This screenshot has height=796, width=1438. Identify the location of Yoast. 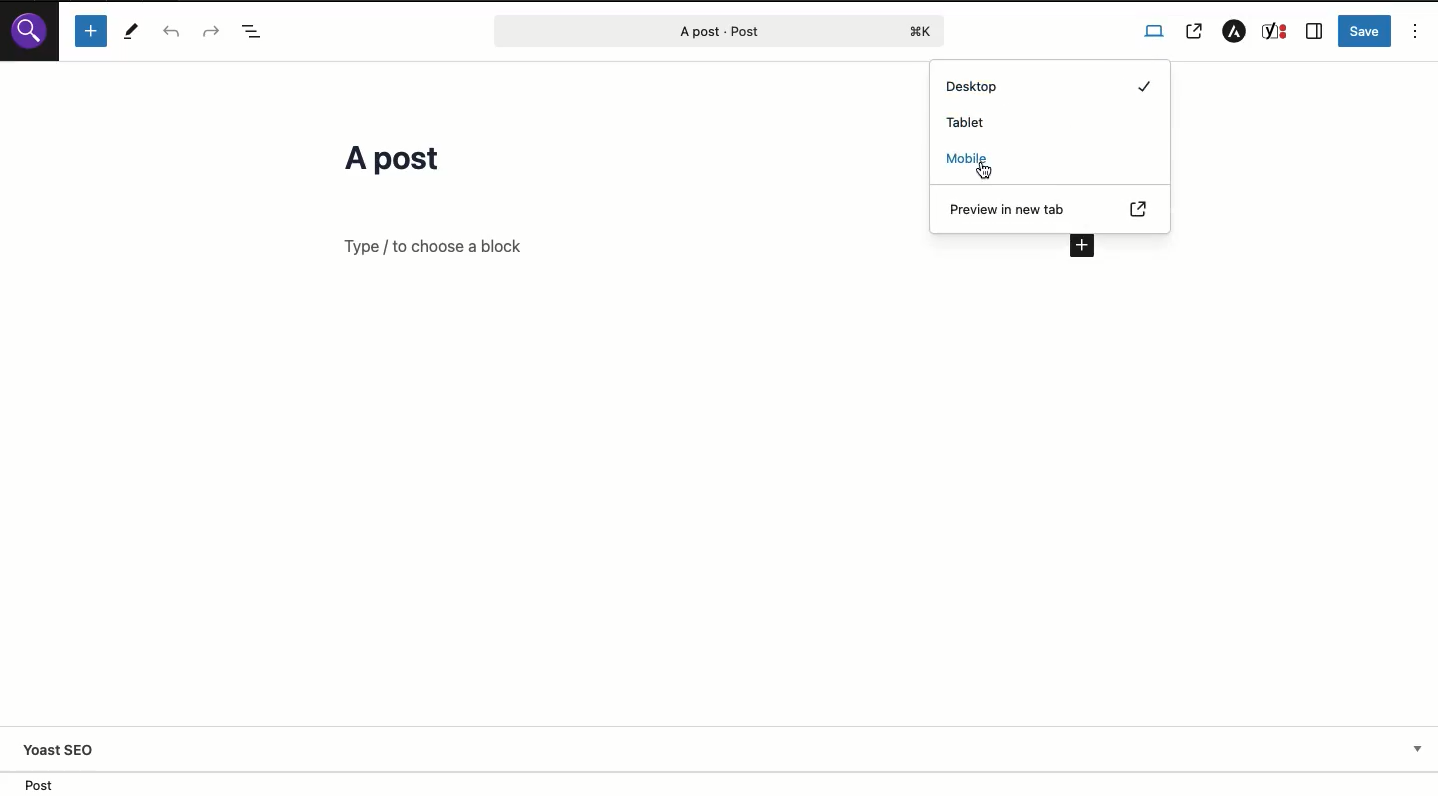
(726, 752).